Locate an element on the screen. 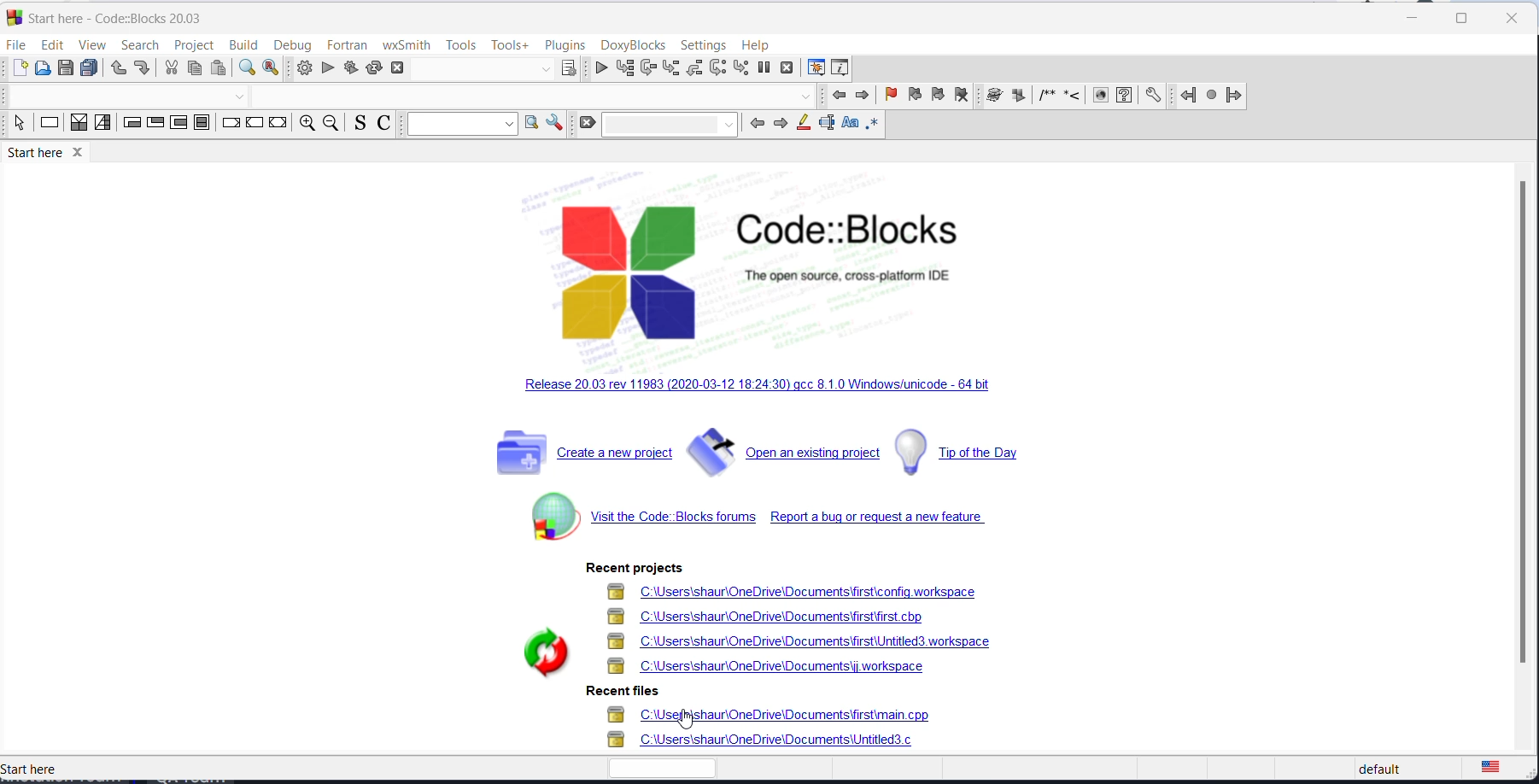  plugins is located at coordinates (565, 44).